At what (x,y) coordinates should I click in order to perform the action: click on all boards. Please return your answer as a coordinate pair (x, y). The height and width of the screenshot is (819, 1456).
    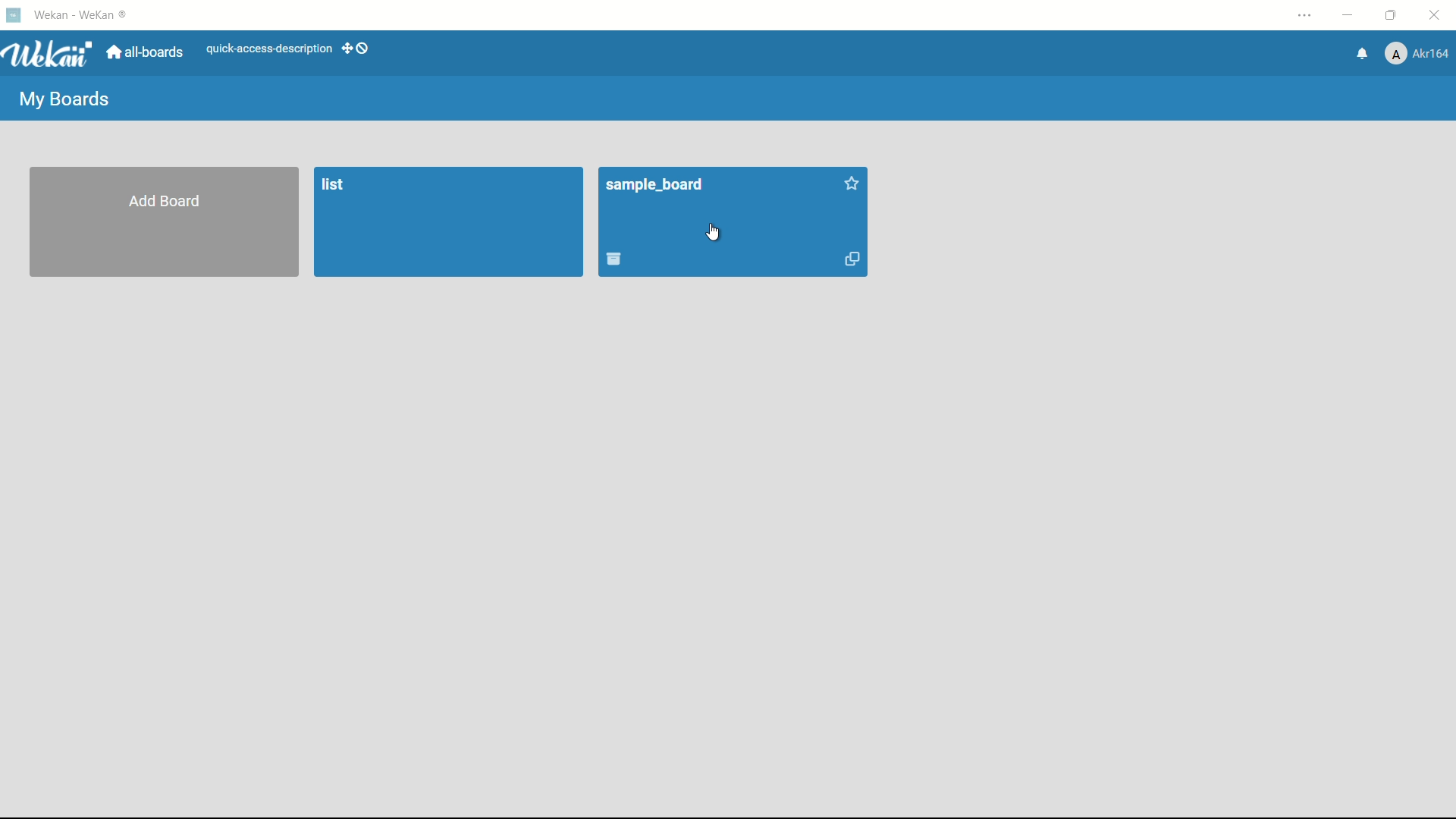
    Looking at the image, I should click on (146, 52).